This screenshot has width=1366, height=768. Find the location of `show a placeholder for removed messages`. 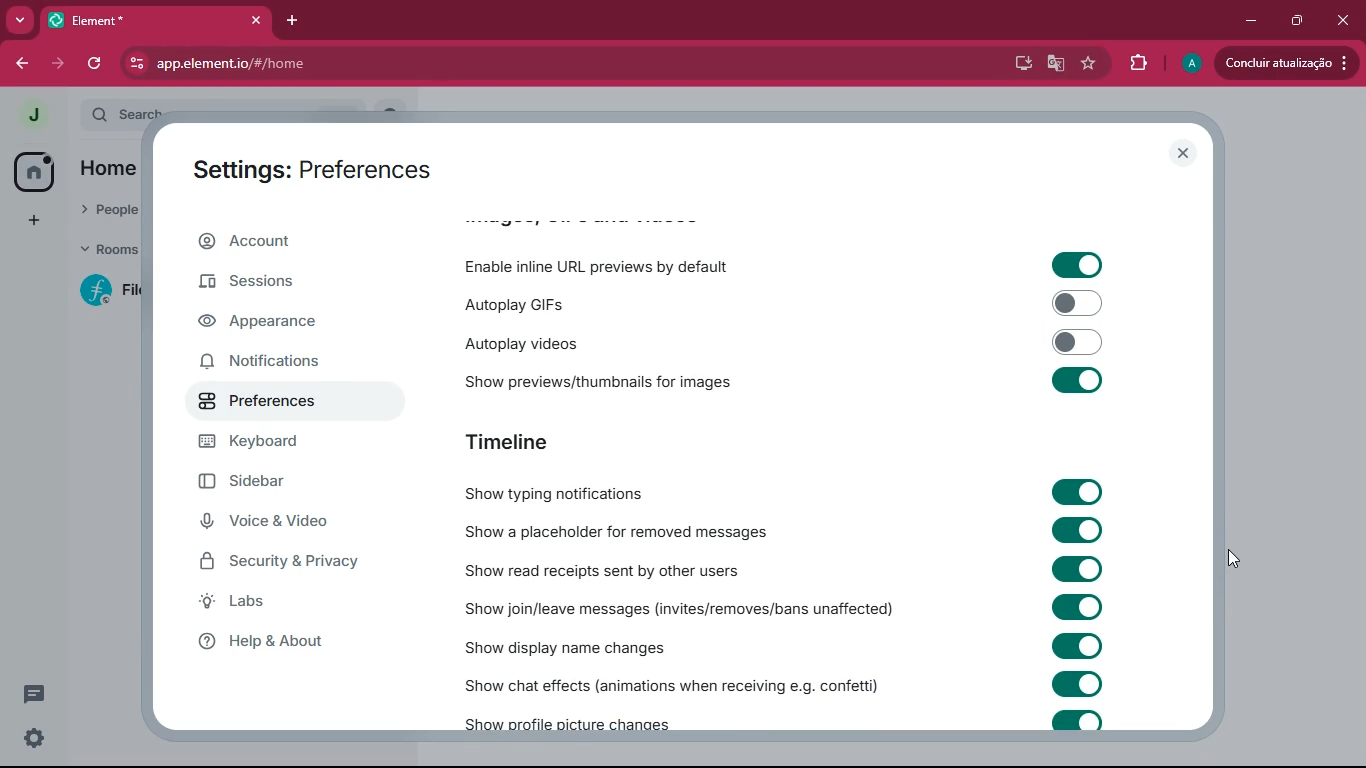

show a placeholder for removed messages is located at coordinates (616, 533).